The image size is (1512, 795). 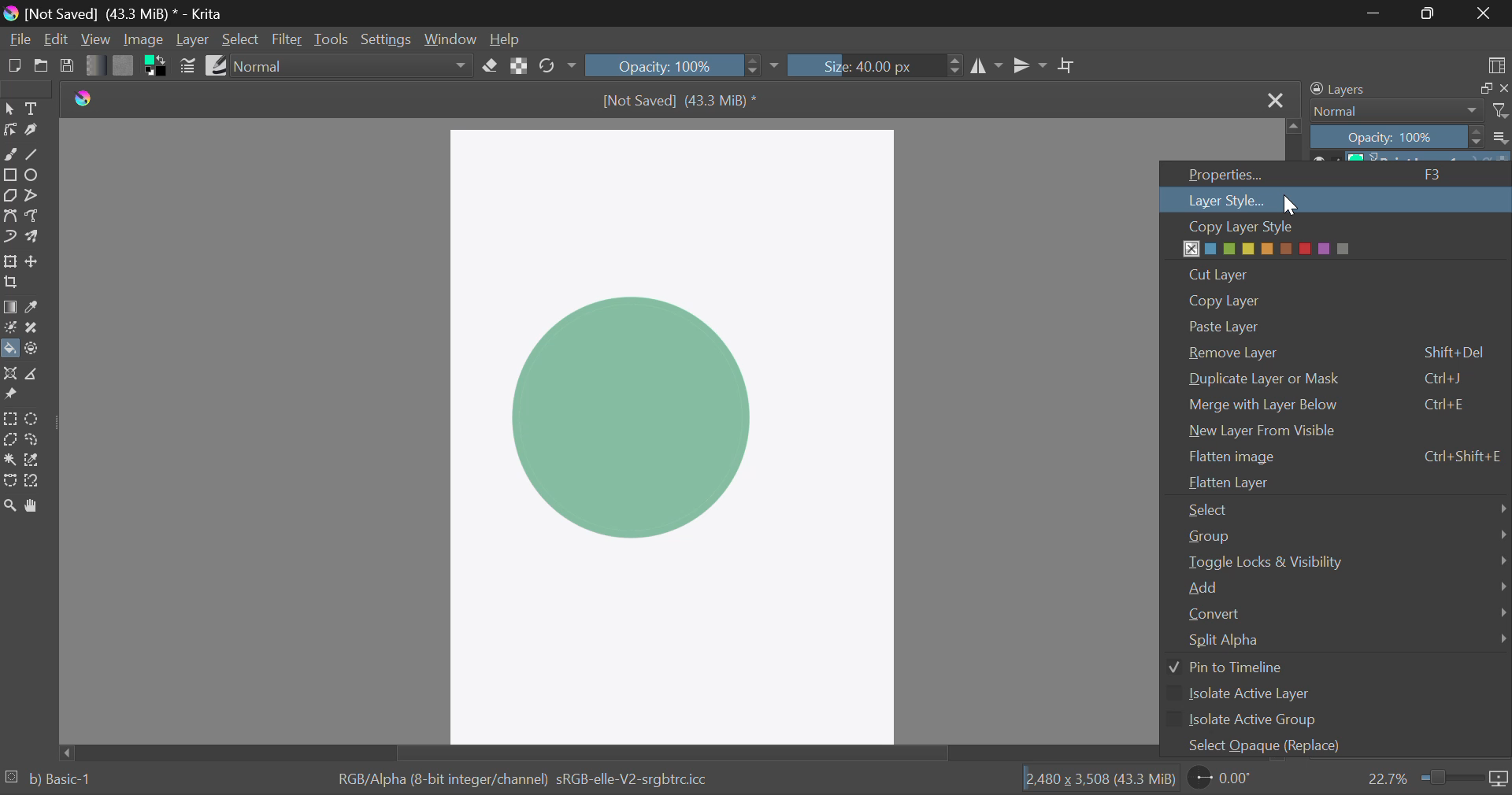 What do you see at coordinates (33, 418) in the screenshot?
I see `Circular Selection` at bounding box center [33, 418].